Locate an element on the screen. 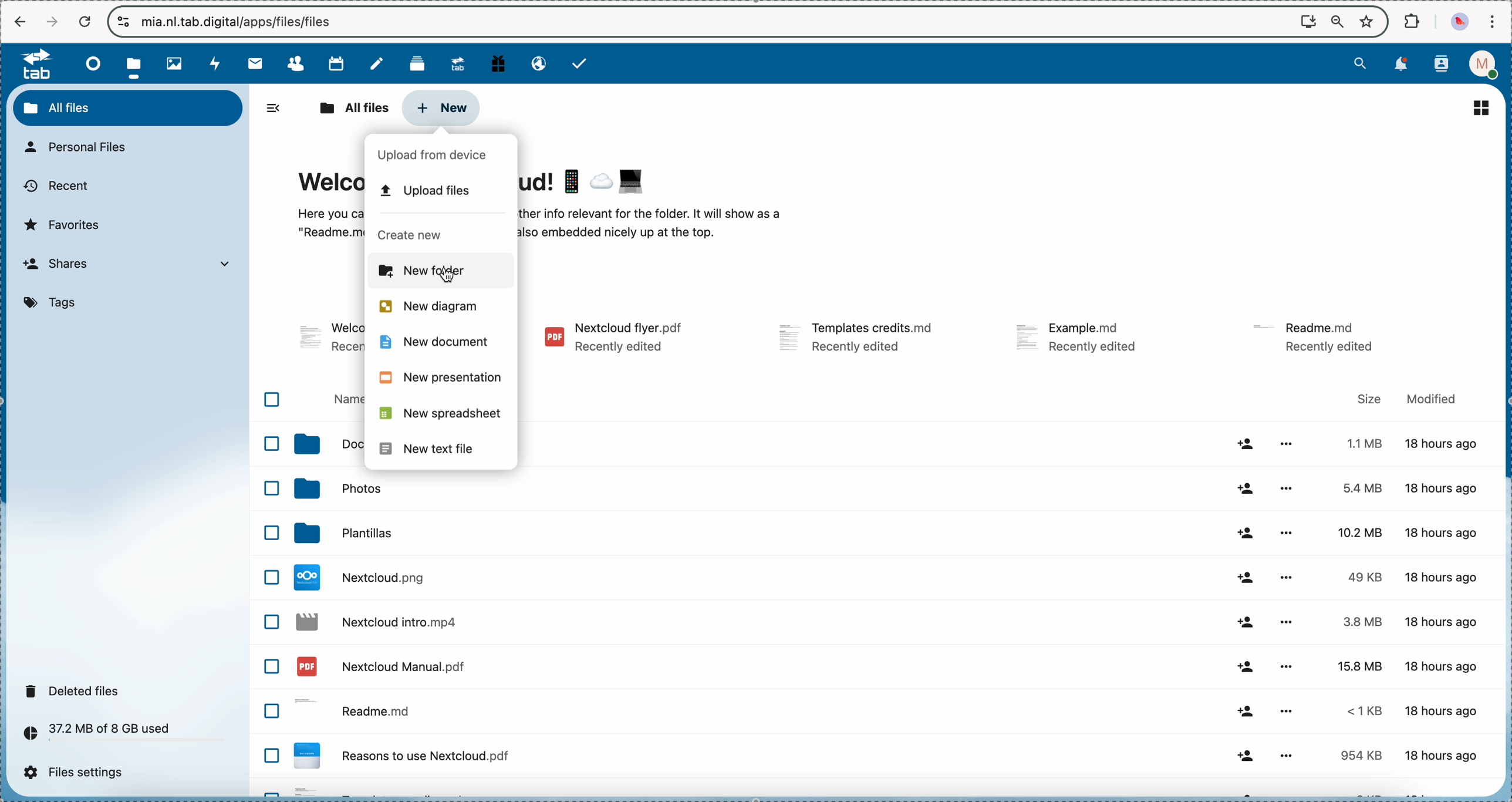 The width and height of the screenshot is (1512, 802). welcome to Nextcloud is located at coordinates (658, 205).